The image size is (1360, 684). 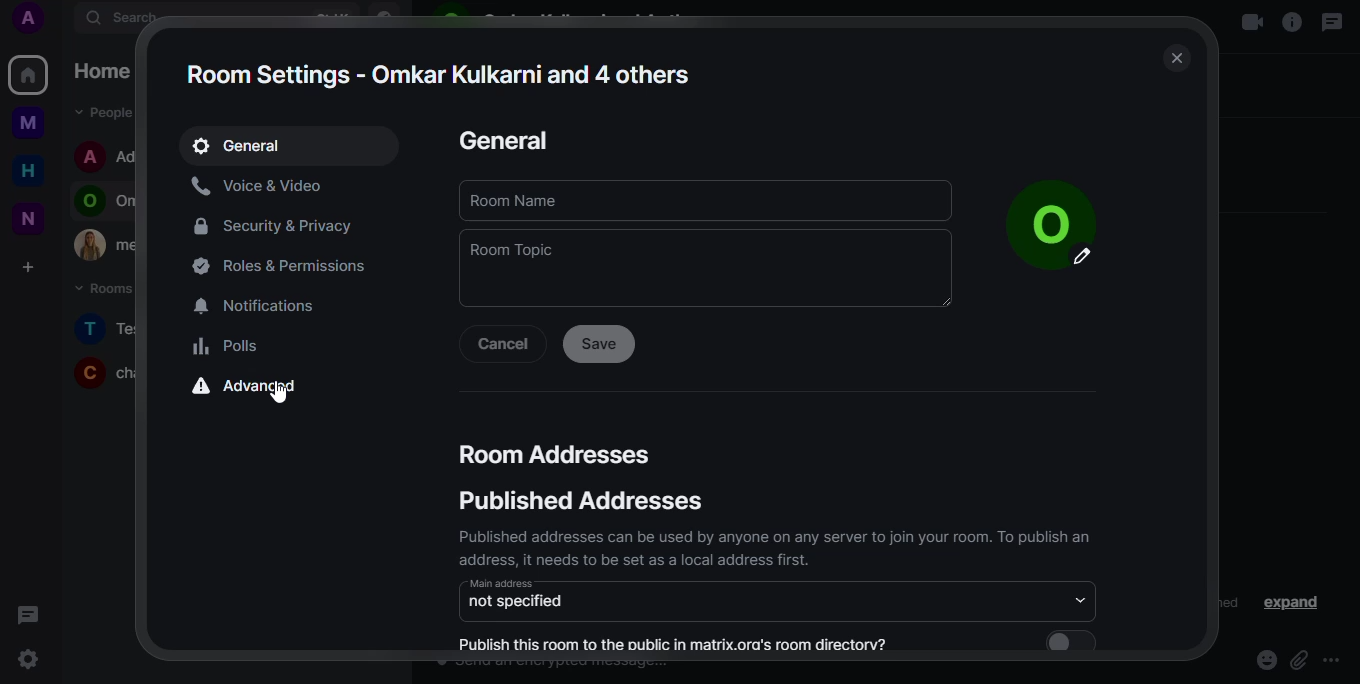 I want to click on room settings, so click(x=438, y=73).